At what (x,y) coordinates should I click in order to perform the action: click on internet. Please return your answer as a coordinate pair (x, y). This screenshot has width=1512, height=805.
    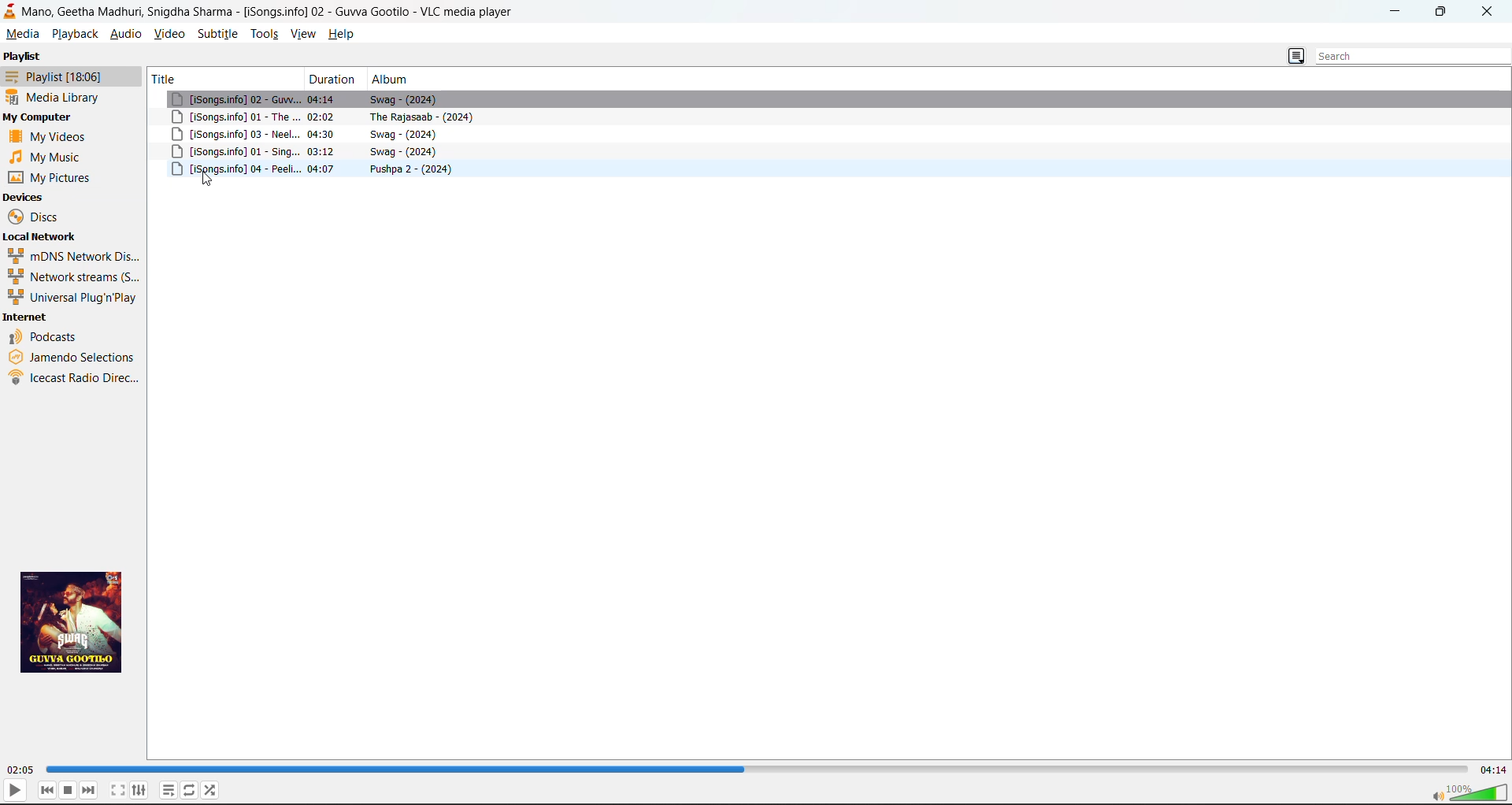
    Looking at the image, I should click on (27, 318).